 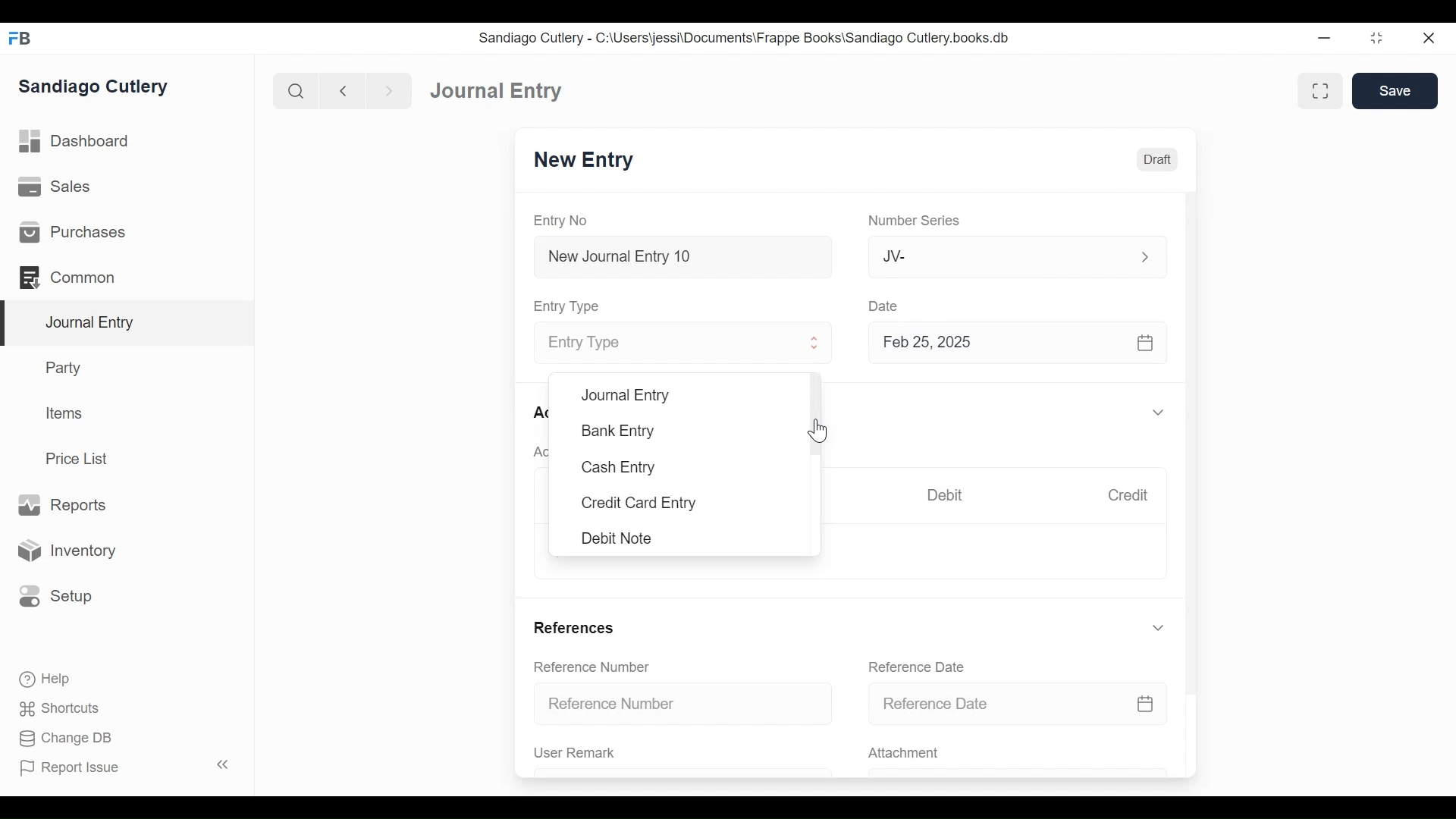 I want to click on Change DB, so click(x=61, y=738).